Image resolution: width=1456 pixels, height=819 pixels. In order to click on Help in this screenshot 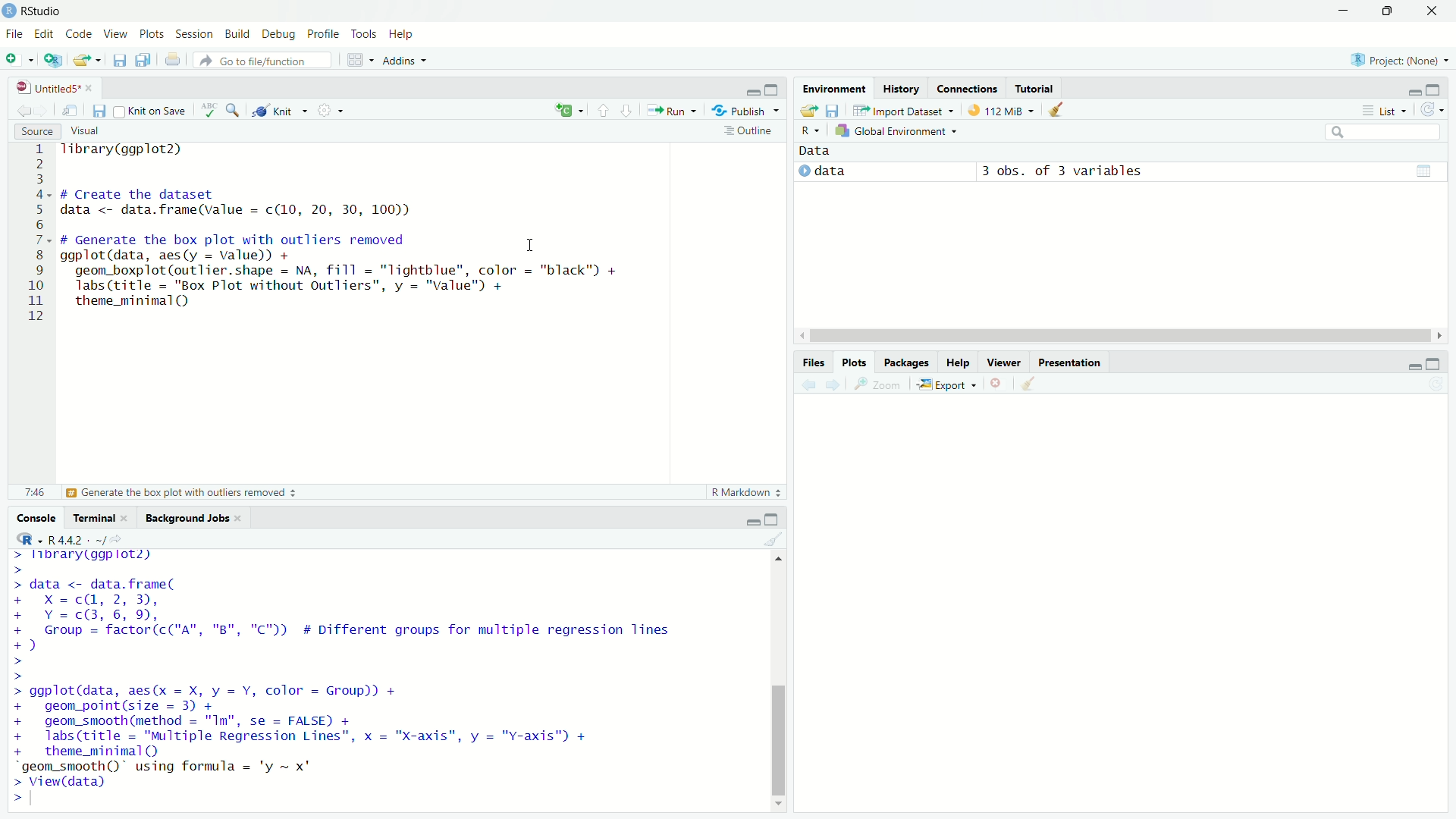, I will do `click(955, 362)`.